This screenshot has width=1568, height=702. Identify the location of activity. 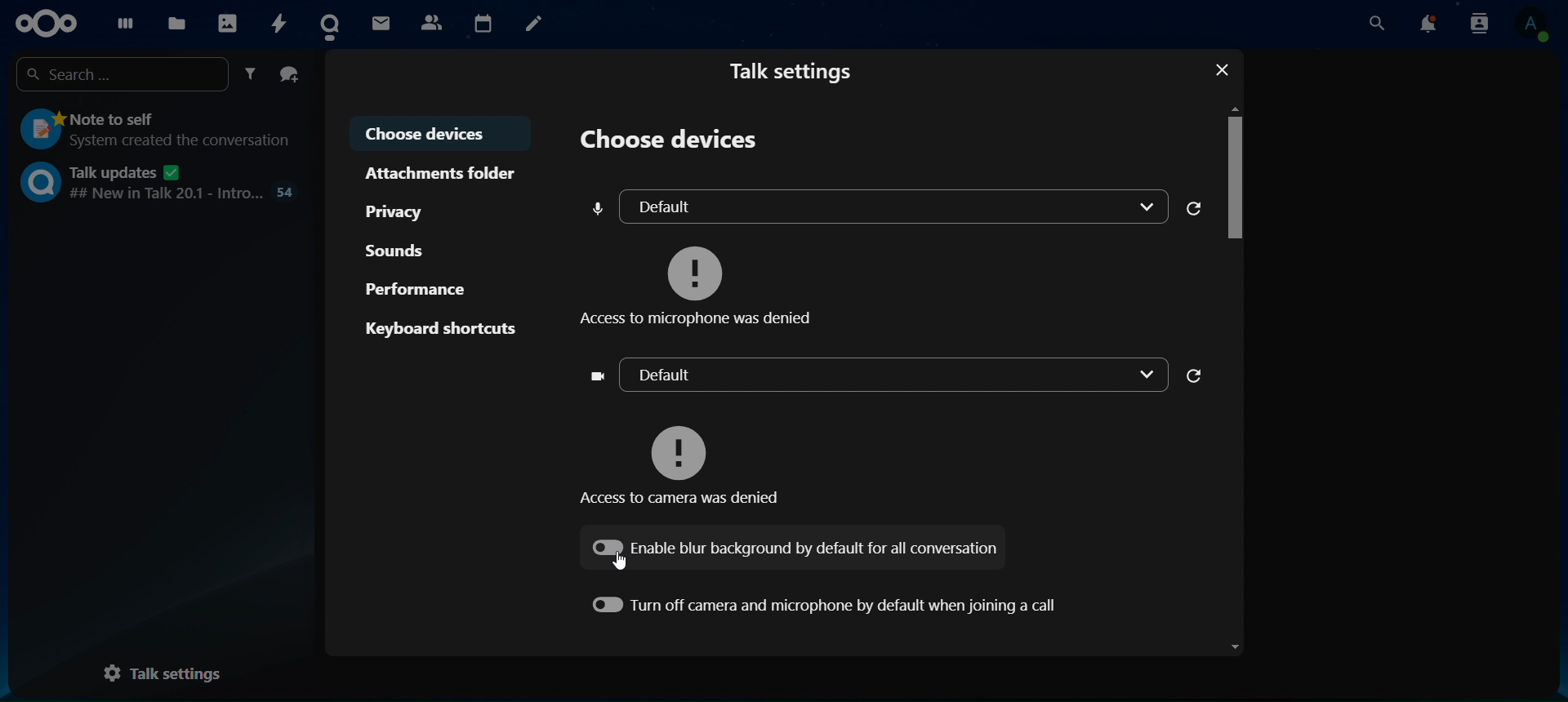
(283, 24).